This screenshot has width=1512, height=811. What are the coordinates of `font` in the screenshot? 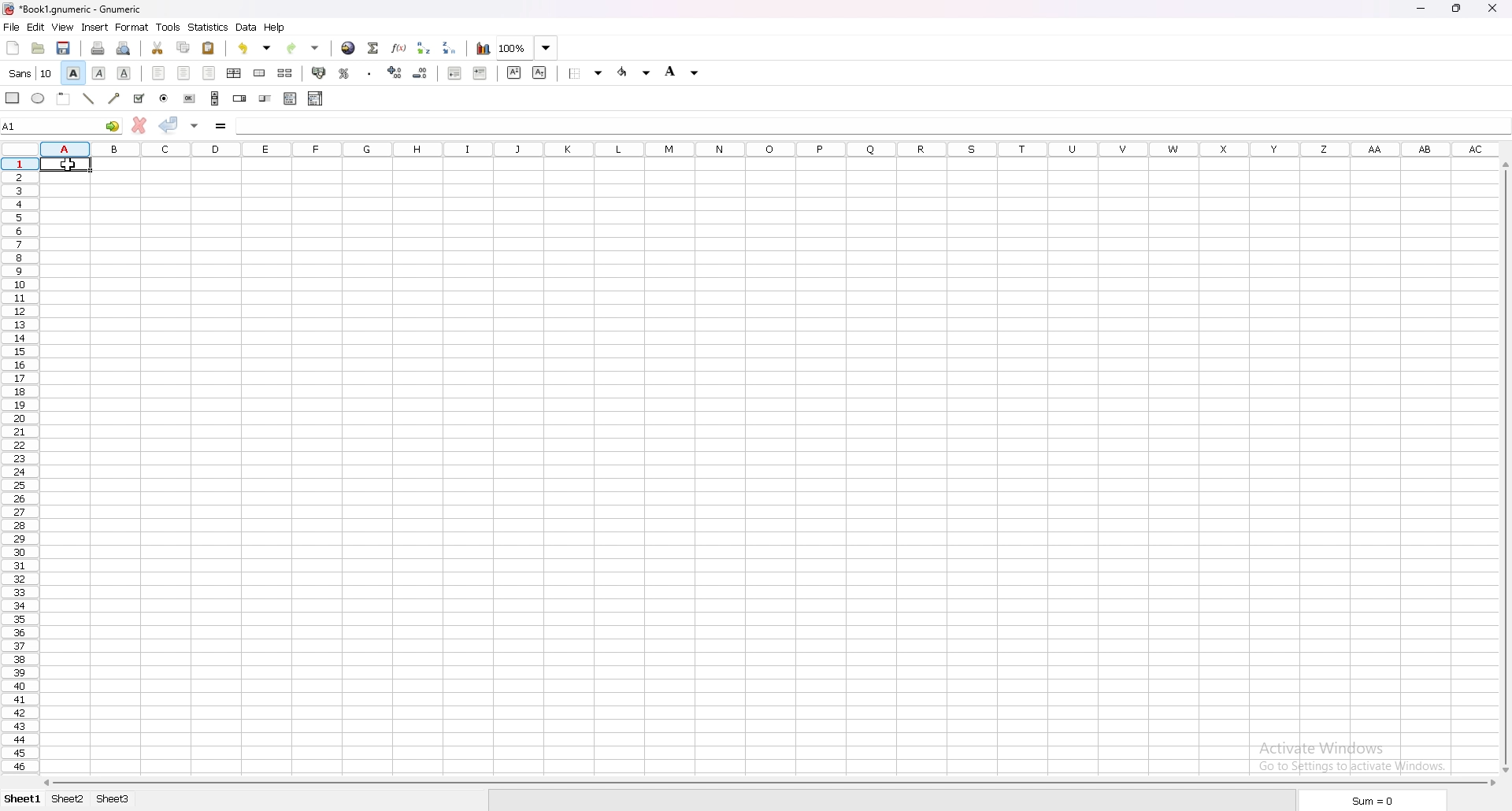 It's located at (31, 74).